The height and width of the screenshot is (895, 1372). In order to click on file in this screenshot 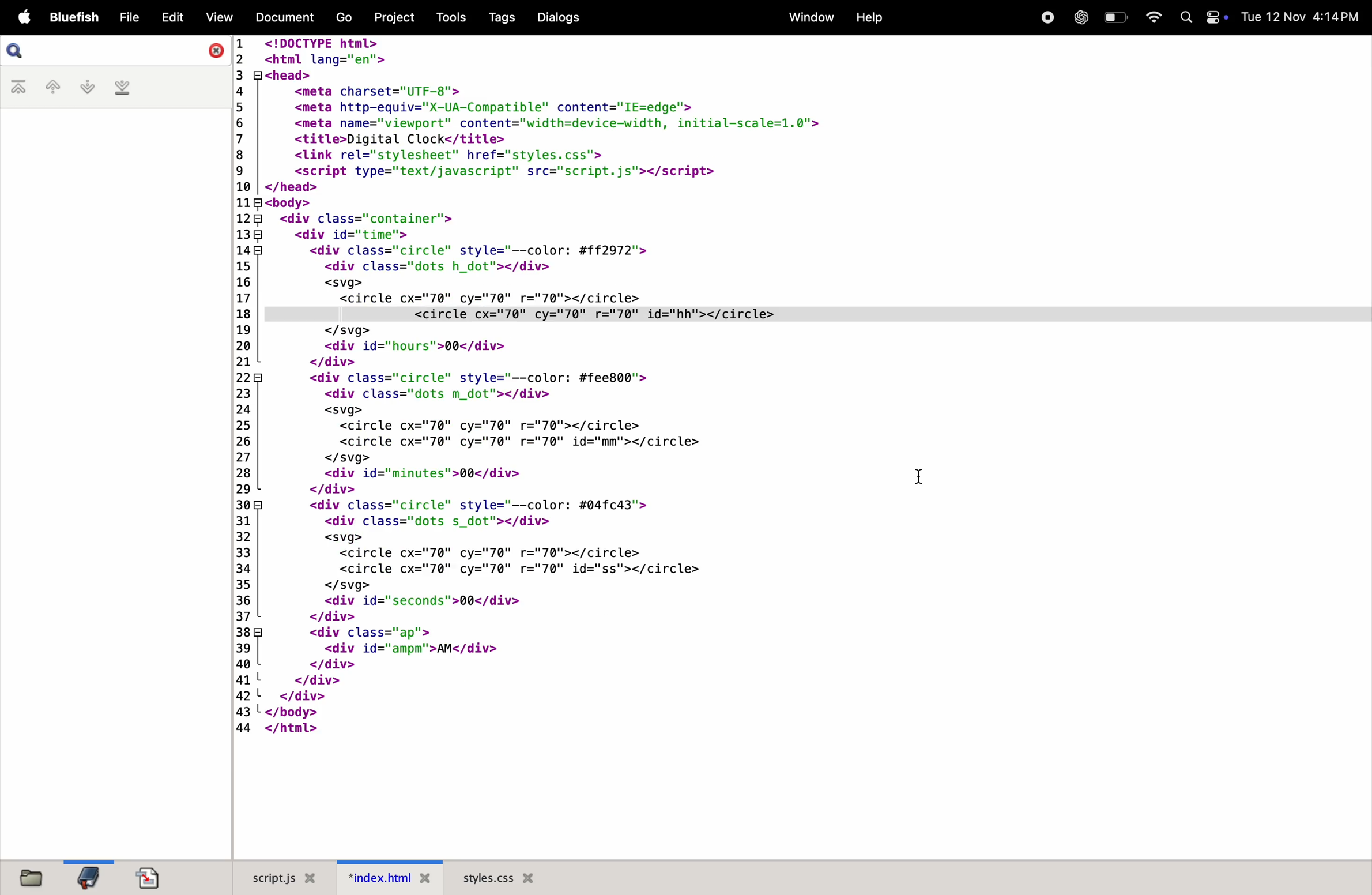, I will do `click(125, 18)`.